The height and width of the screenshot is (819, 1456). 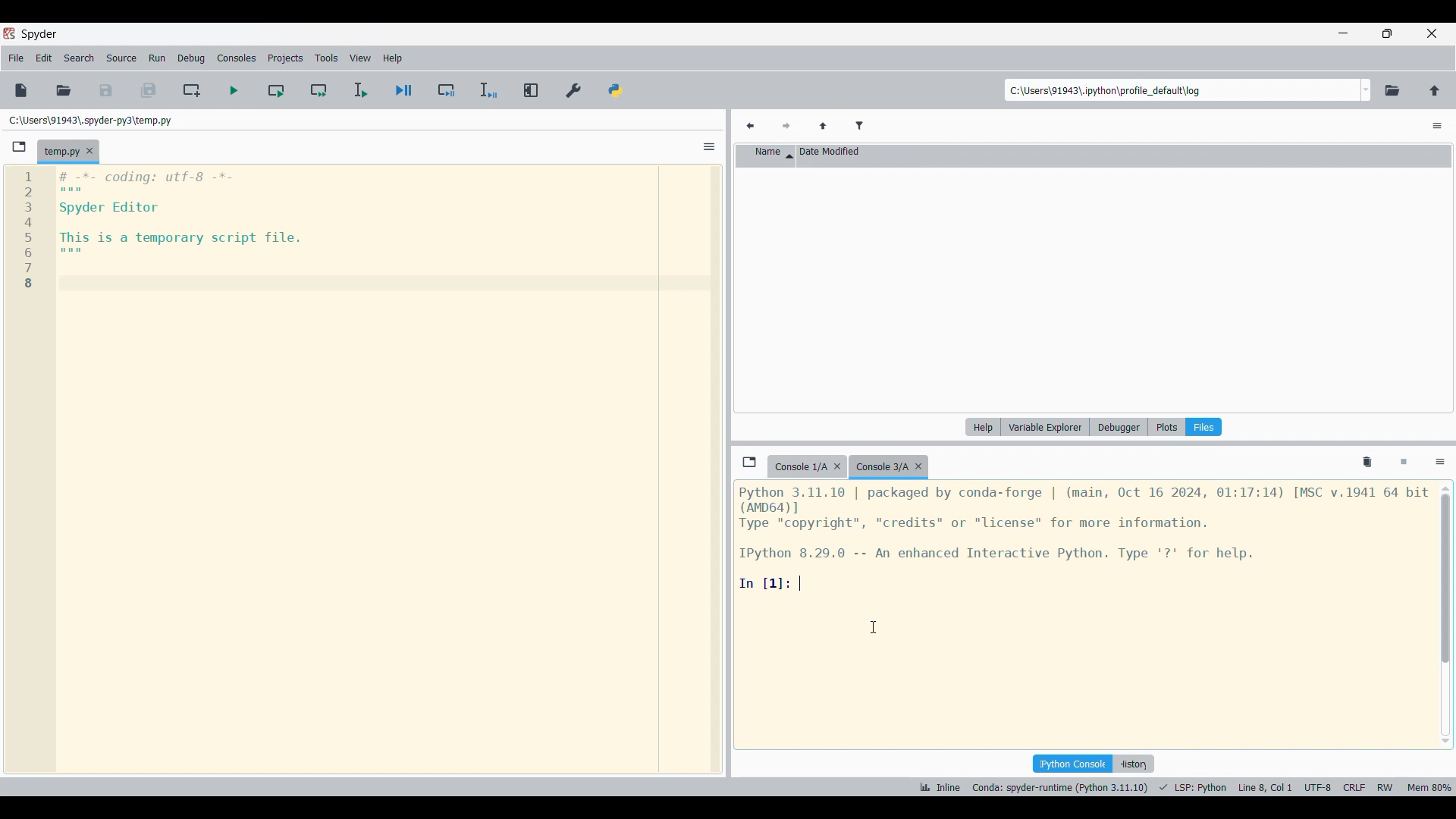 I want to click on Current tab, so click(x=60, y=152).